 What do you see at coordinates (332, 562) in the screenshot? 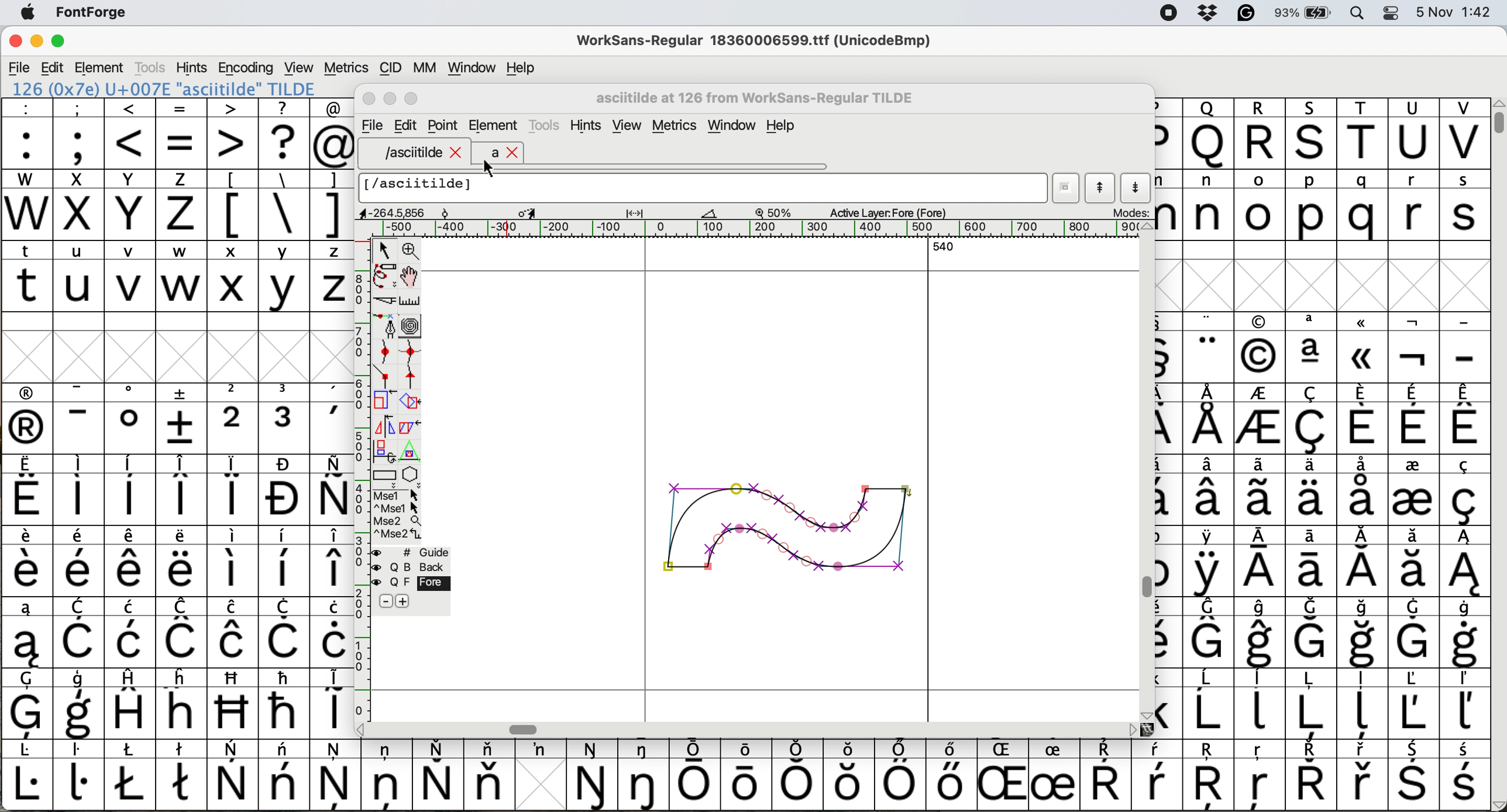
I see `symbol` at bounding box center [332, 562].